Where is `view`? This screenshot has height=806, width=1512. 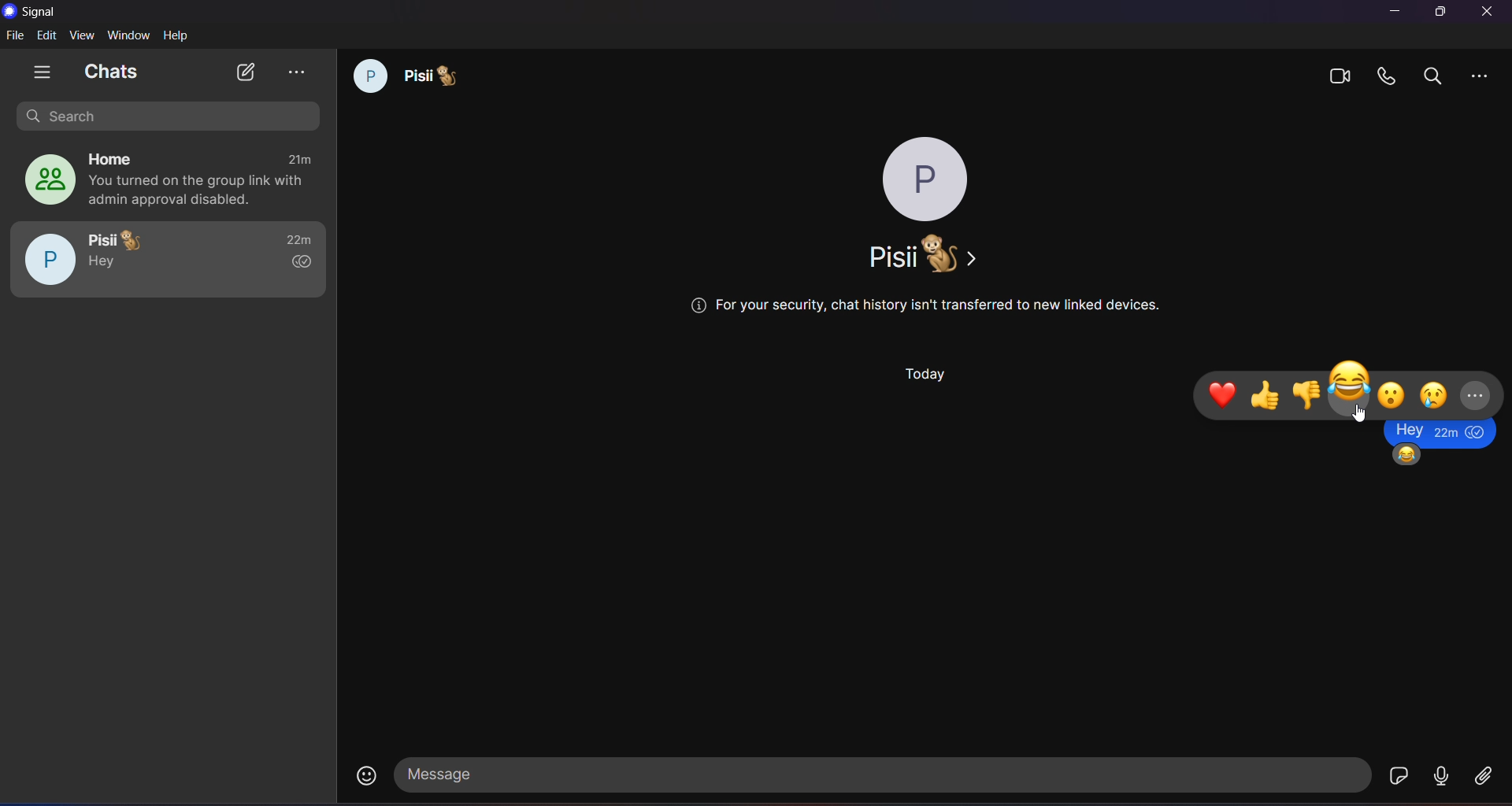 view is located at coordinates (83, 35).